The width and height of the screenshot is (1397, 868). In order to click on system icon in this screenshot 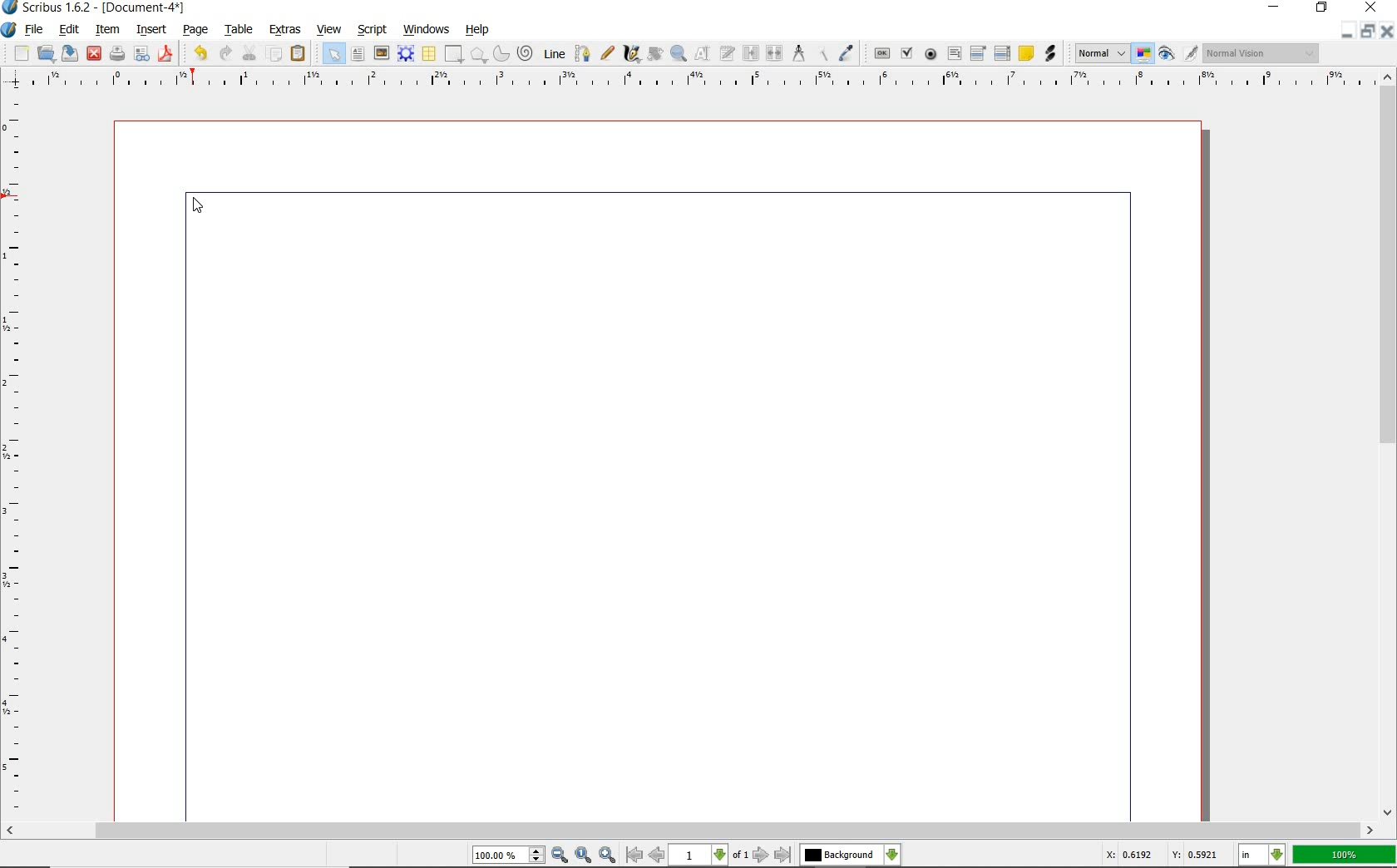, I will do `click(9, 29)`.